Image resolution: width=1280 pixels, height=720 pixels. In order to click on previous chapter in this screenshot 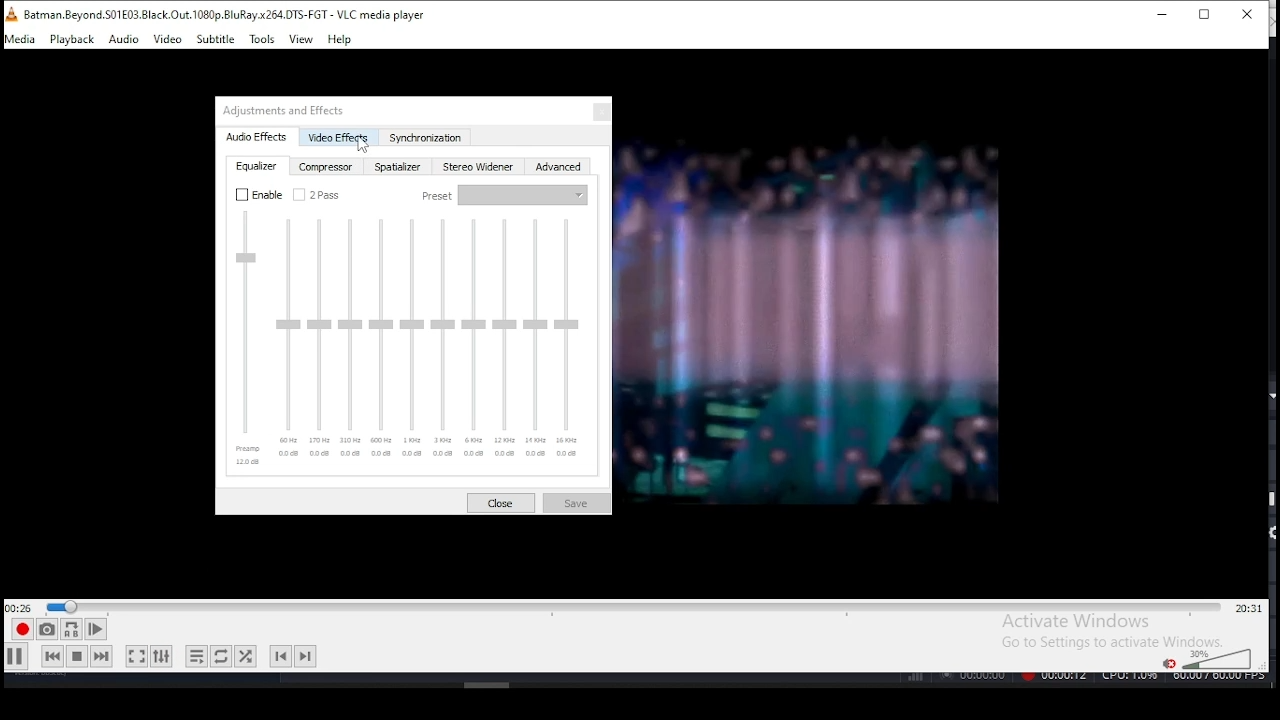, I will do `click(279, 657)`.